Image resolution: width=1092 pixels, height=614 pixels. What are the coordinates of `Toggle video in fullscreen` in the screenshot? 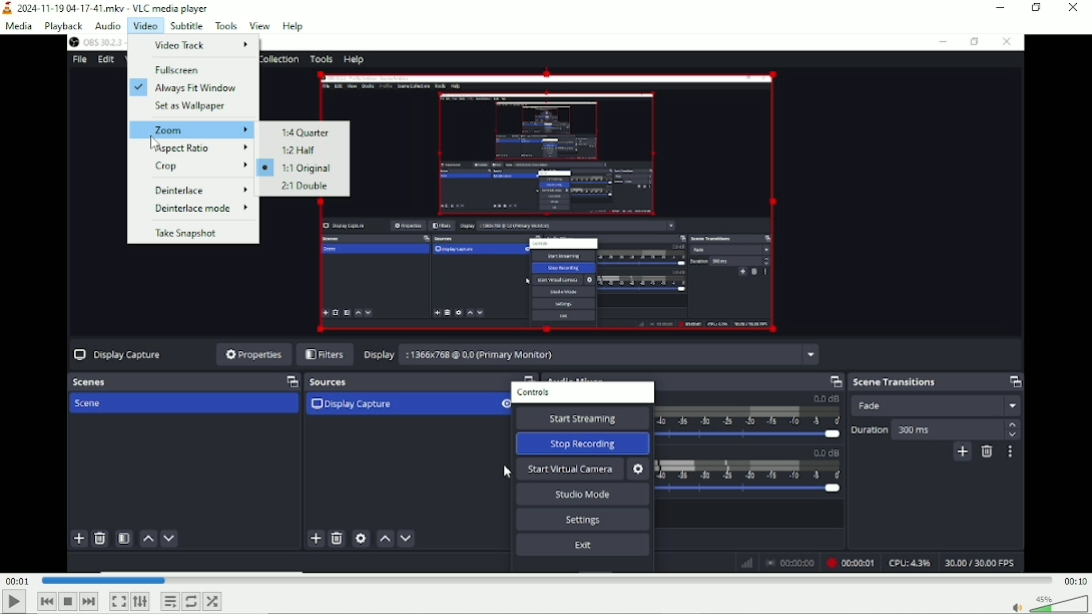 It's located at (118, 601).